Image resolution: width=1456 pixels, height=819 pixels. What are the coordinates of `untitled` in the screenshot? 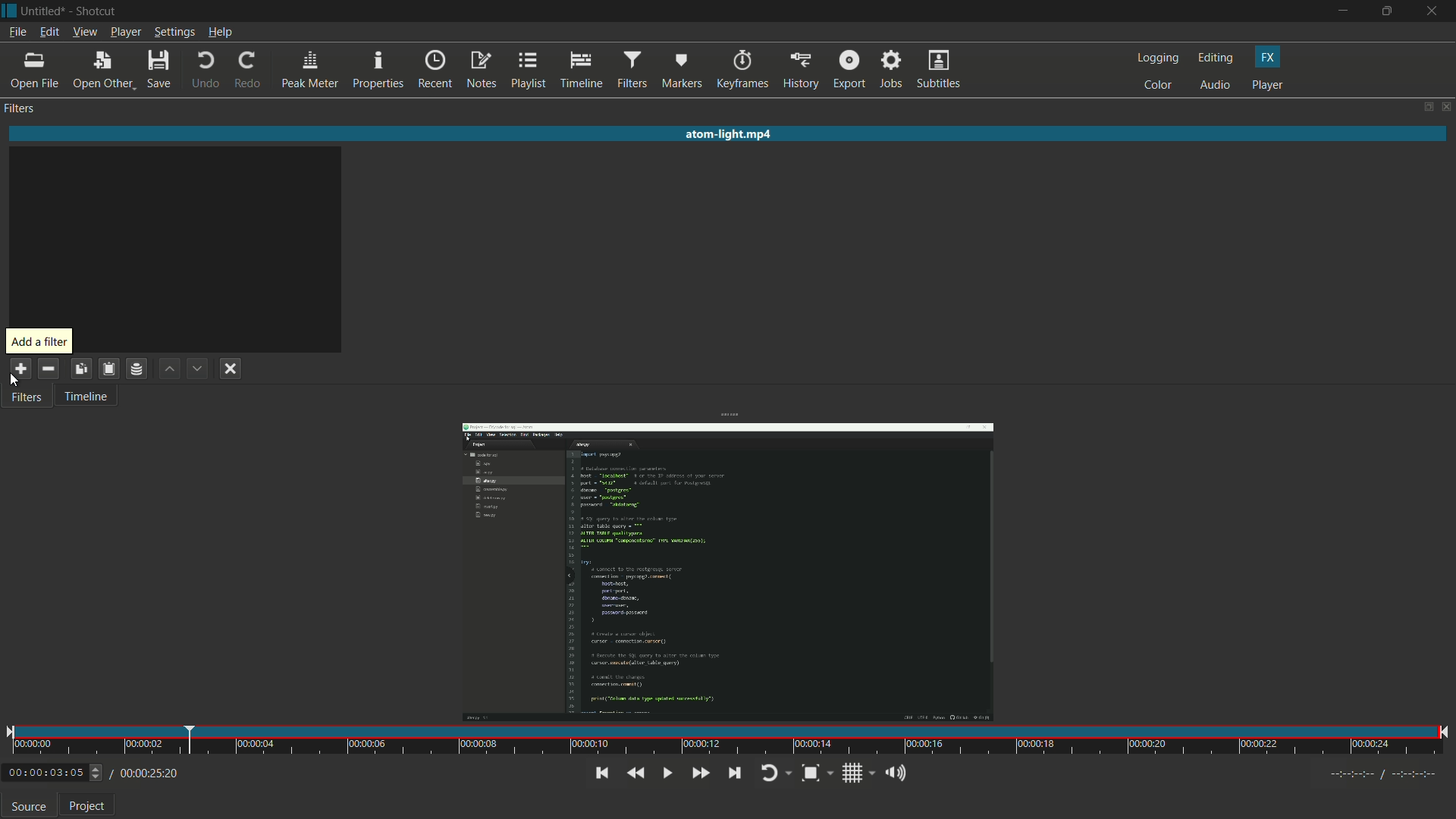 It's located at (44, 10).